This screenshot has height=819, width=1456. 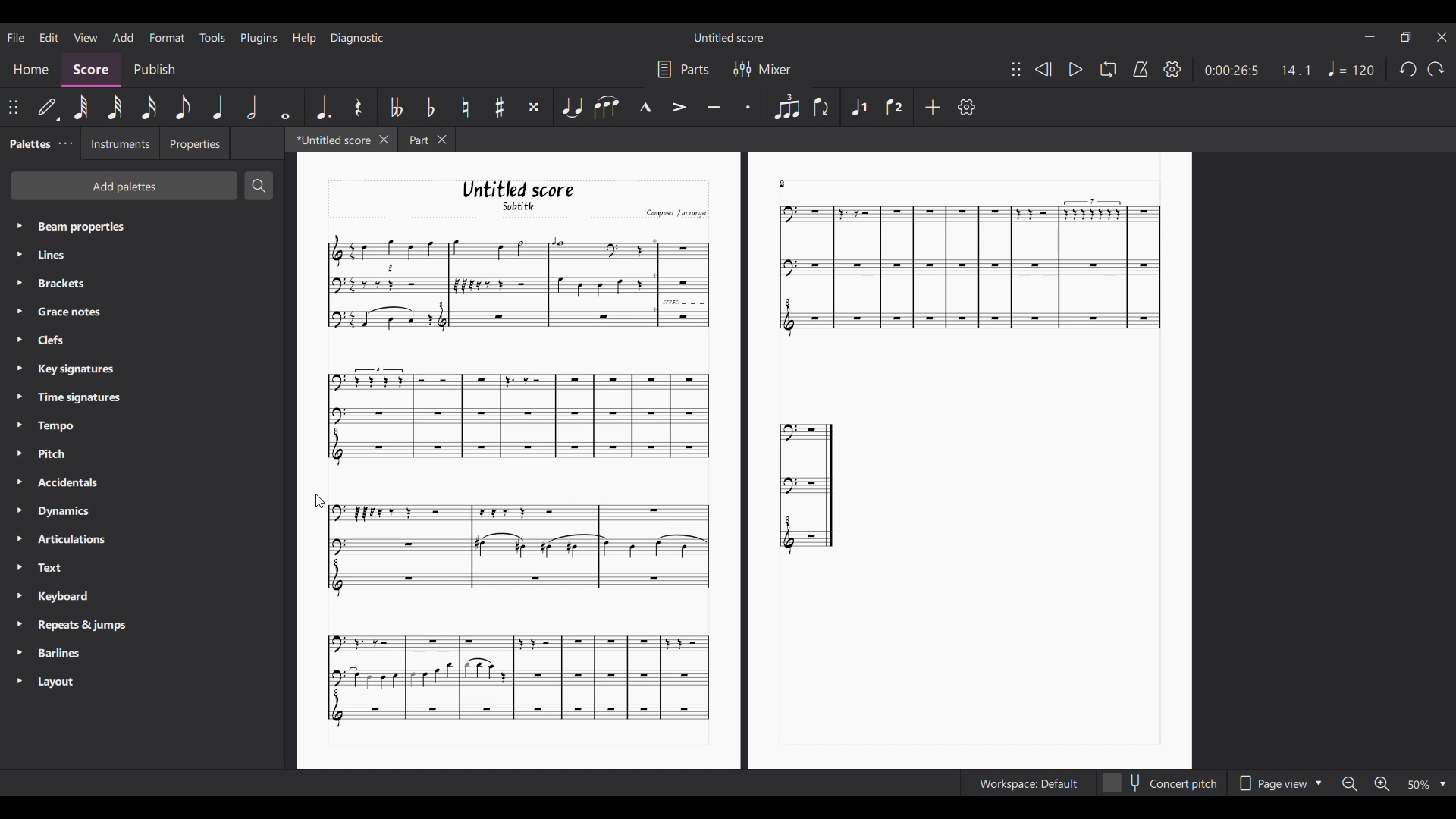 What do you see at coordinates (967, 107) in the screenshot?
I see `Settings` at bounding box center [967, 107].